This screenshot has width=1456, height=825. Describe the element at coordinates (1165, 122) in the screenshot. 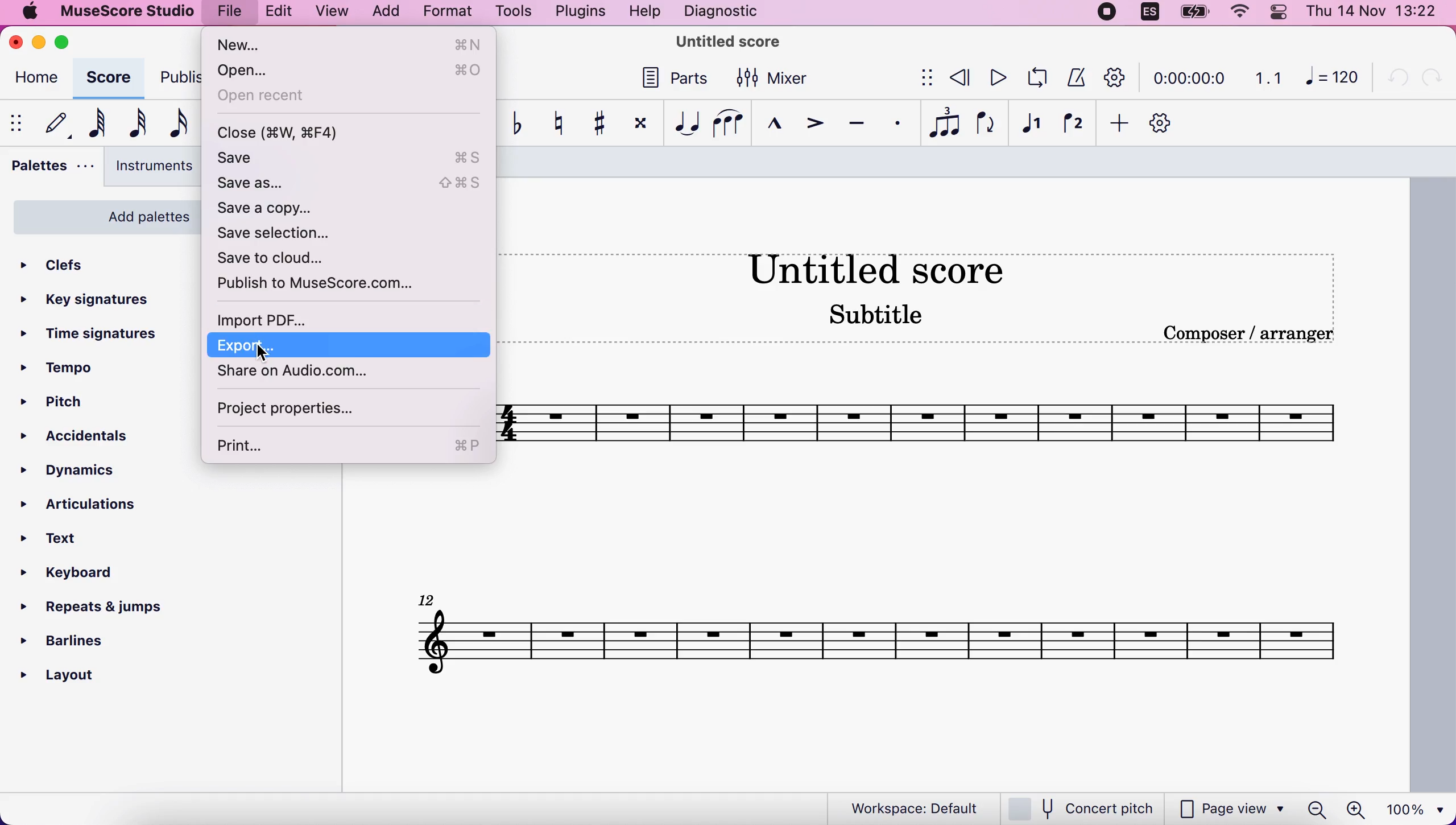

I see `customize toolbar` at that location.